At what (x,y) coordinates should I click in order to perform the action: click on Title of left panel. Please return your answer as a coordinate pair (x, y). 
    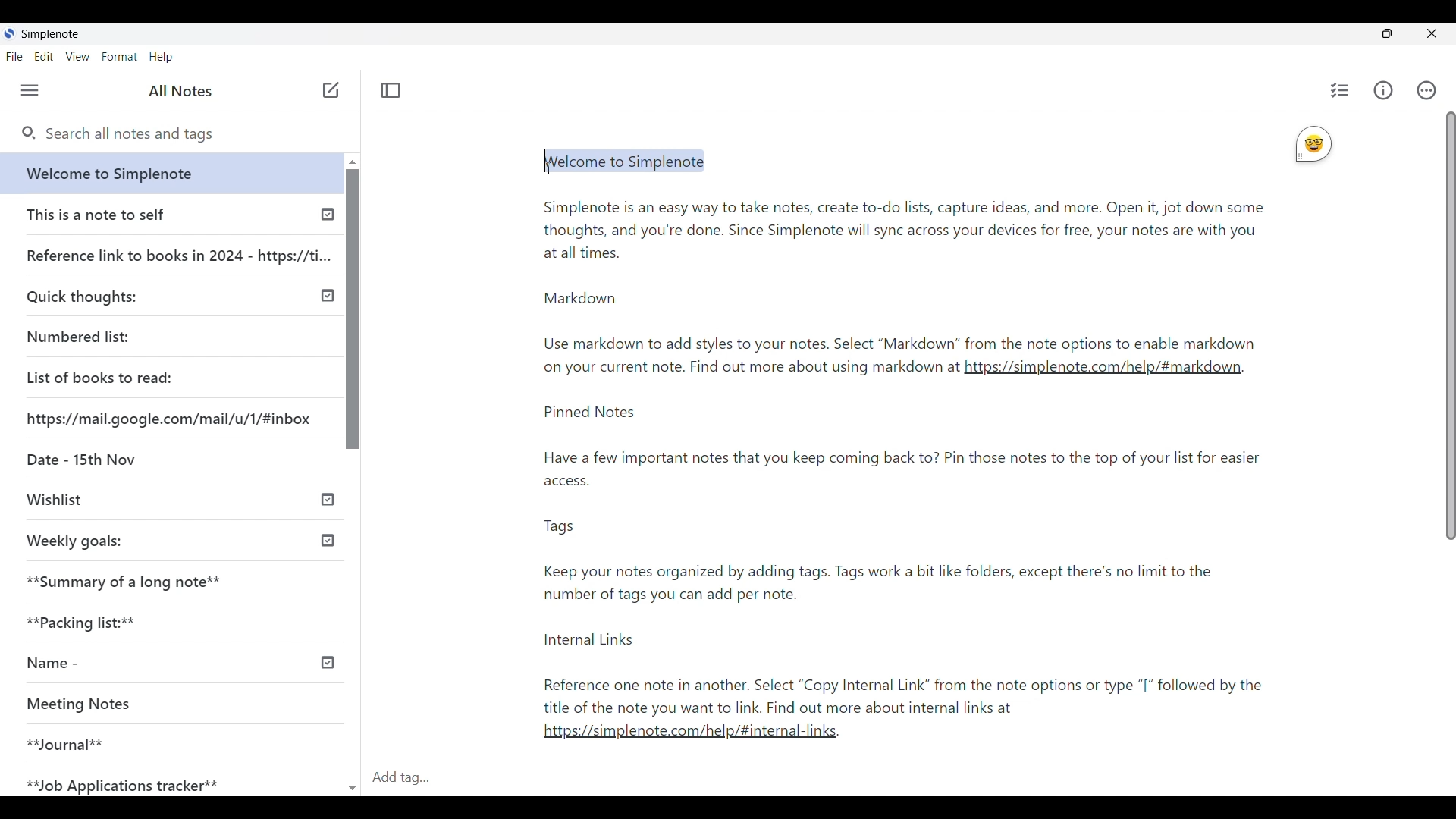
    Looking at the image, I should click on (180, 91).